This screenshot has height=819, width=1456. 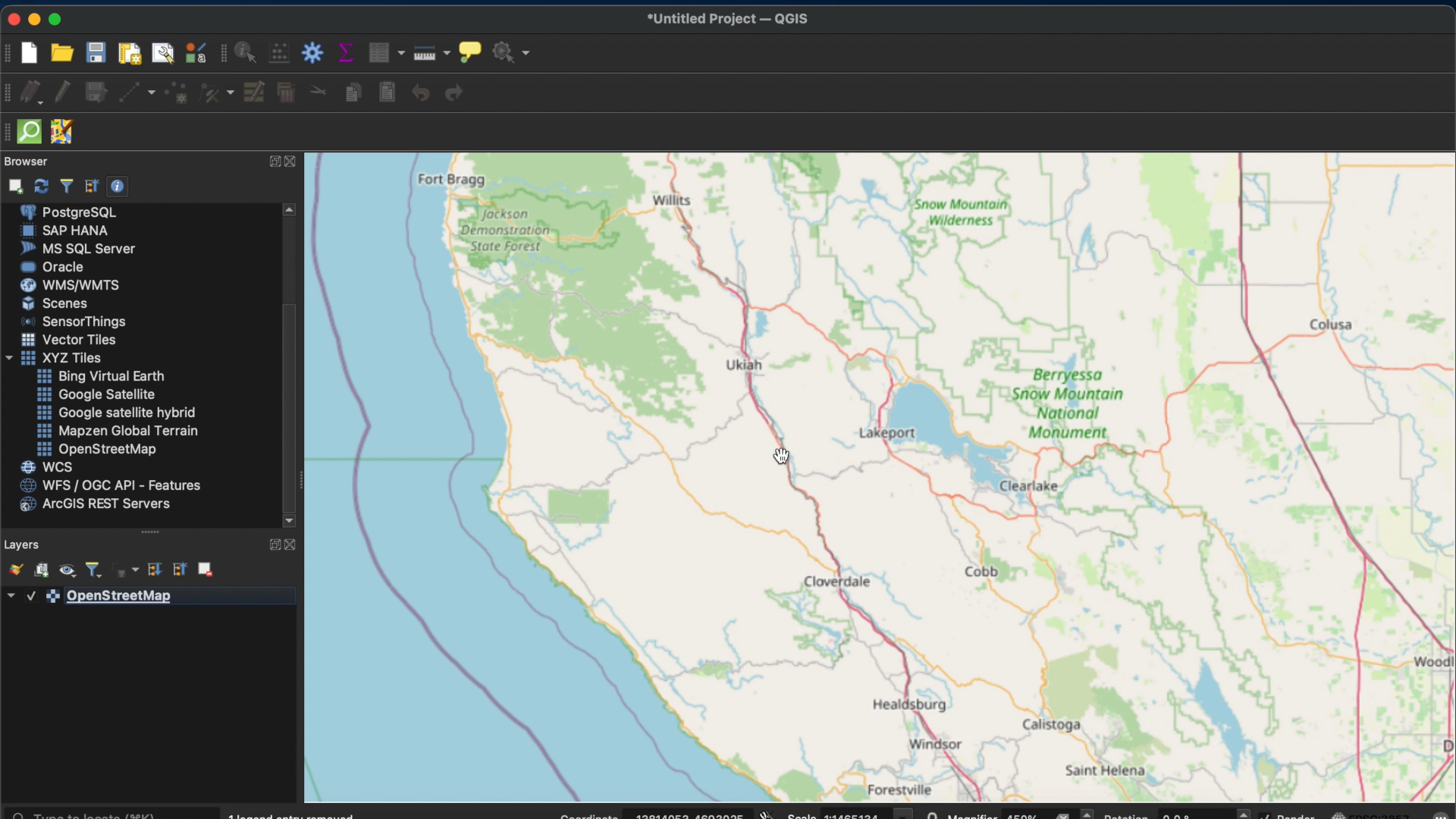 What do you see at coordinates (92, 186) in the screenshot?
I see `collapse all` at bounding box center [92, 186].